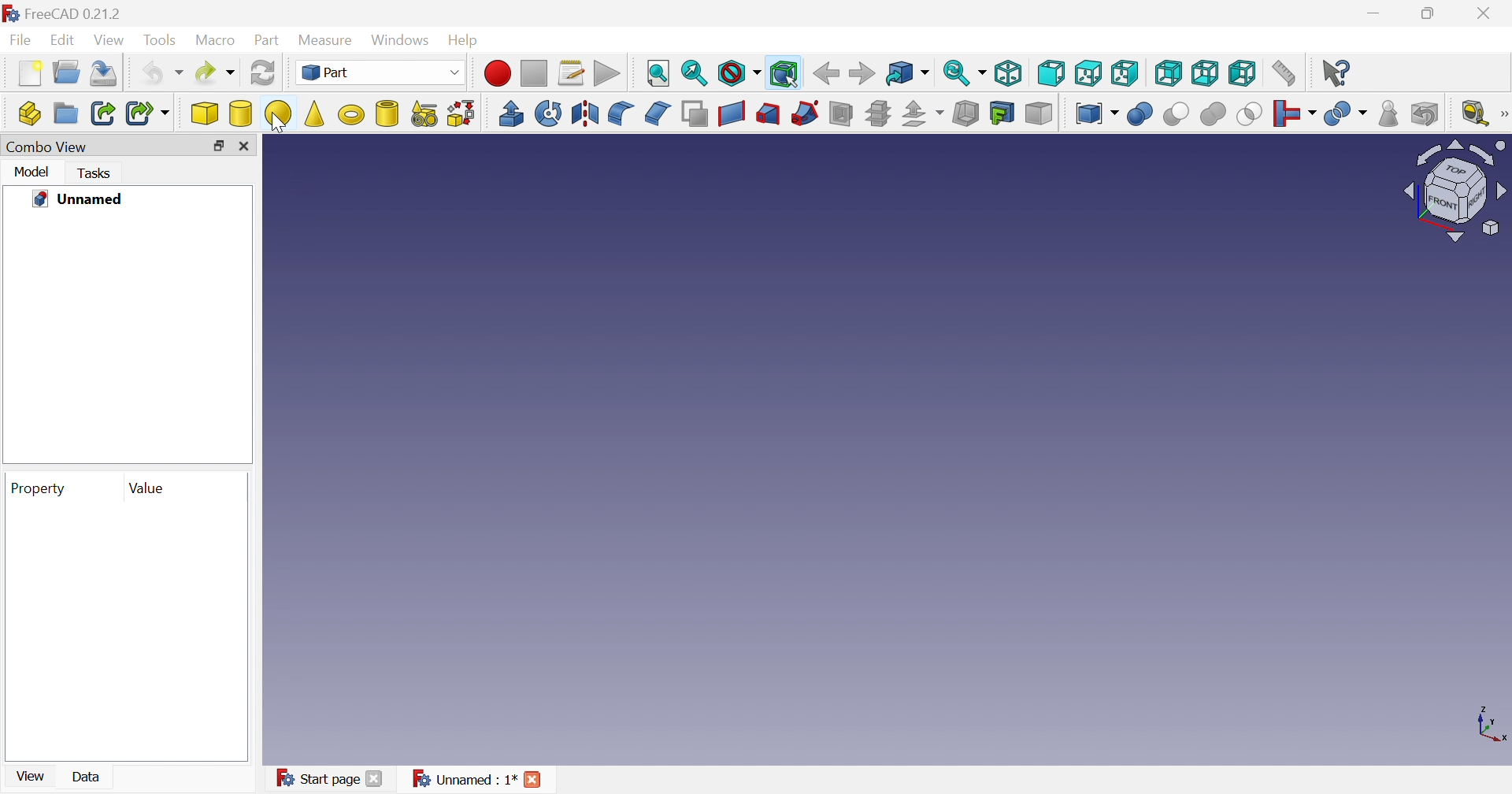 Image resolution: width=1512 pixels, height=794 pixels. I want to click on Sphere, so click(278, 114).